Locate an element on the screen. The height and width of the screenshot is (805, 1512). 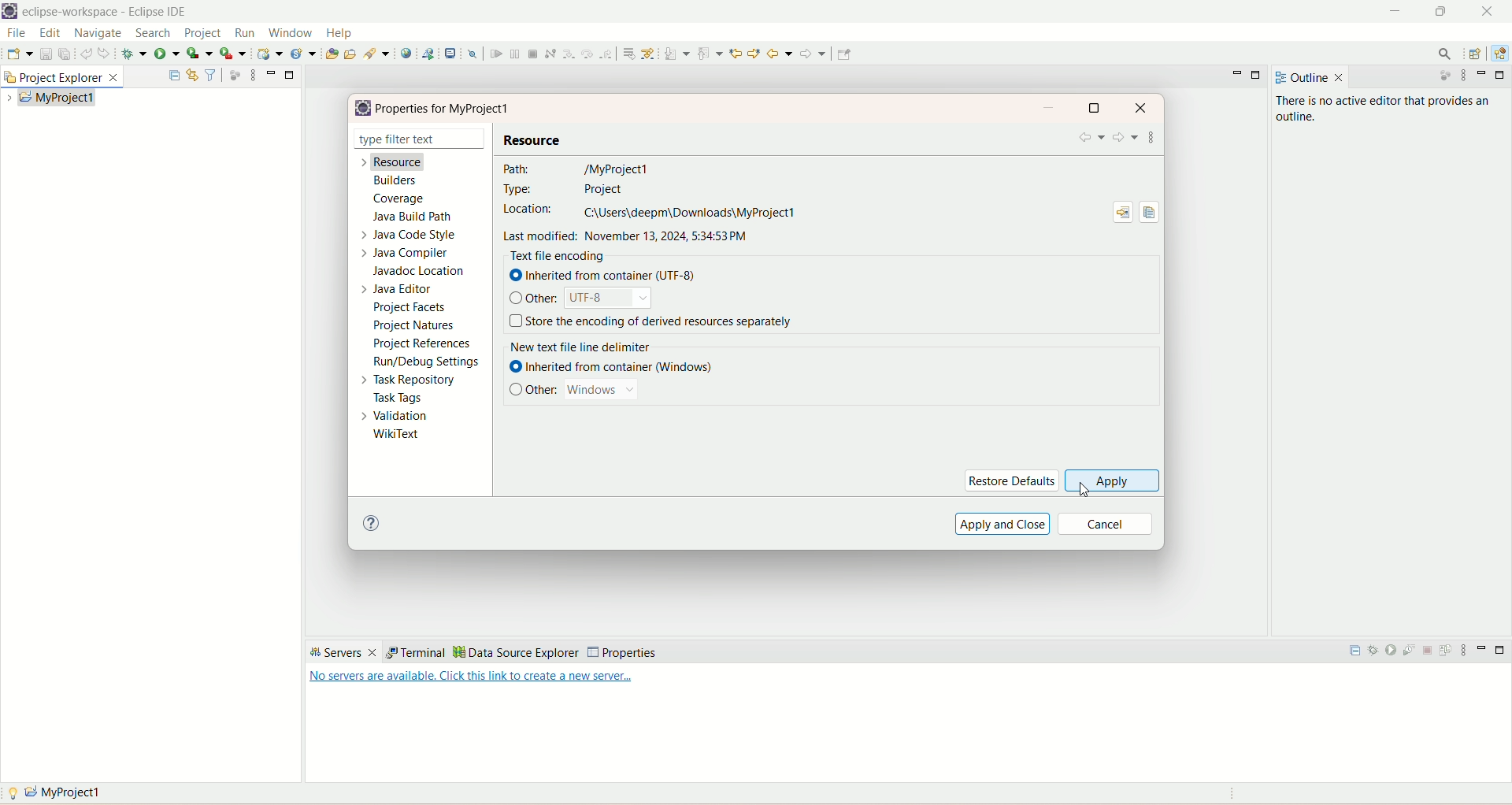
properties is located at coordinates (621, 652).